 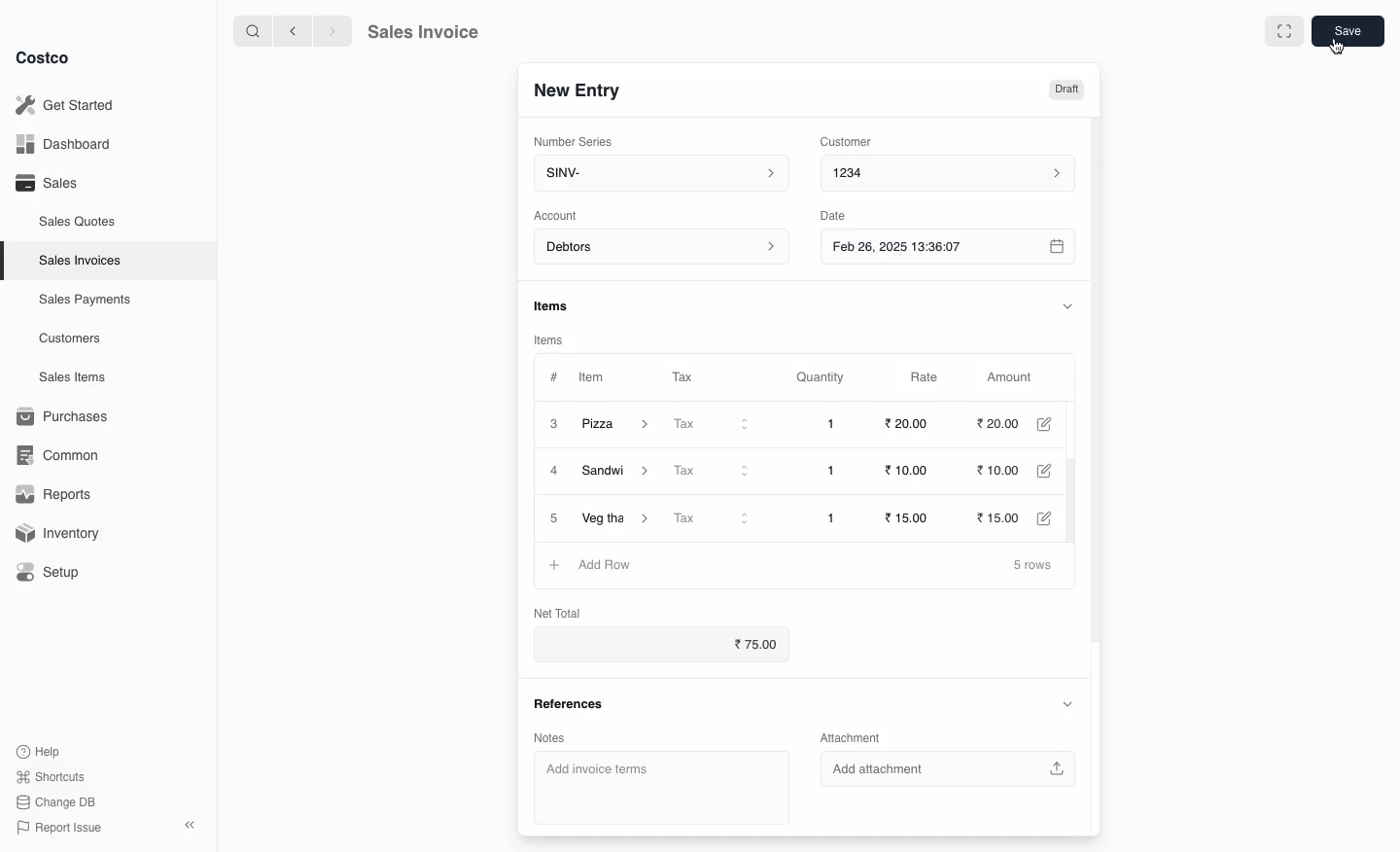 What do you see at coordinates (714, 425) in the screenshot?
I see `Tax` at bounding box center [714, 425].